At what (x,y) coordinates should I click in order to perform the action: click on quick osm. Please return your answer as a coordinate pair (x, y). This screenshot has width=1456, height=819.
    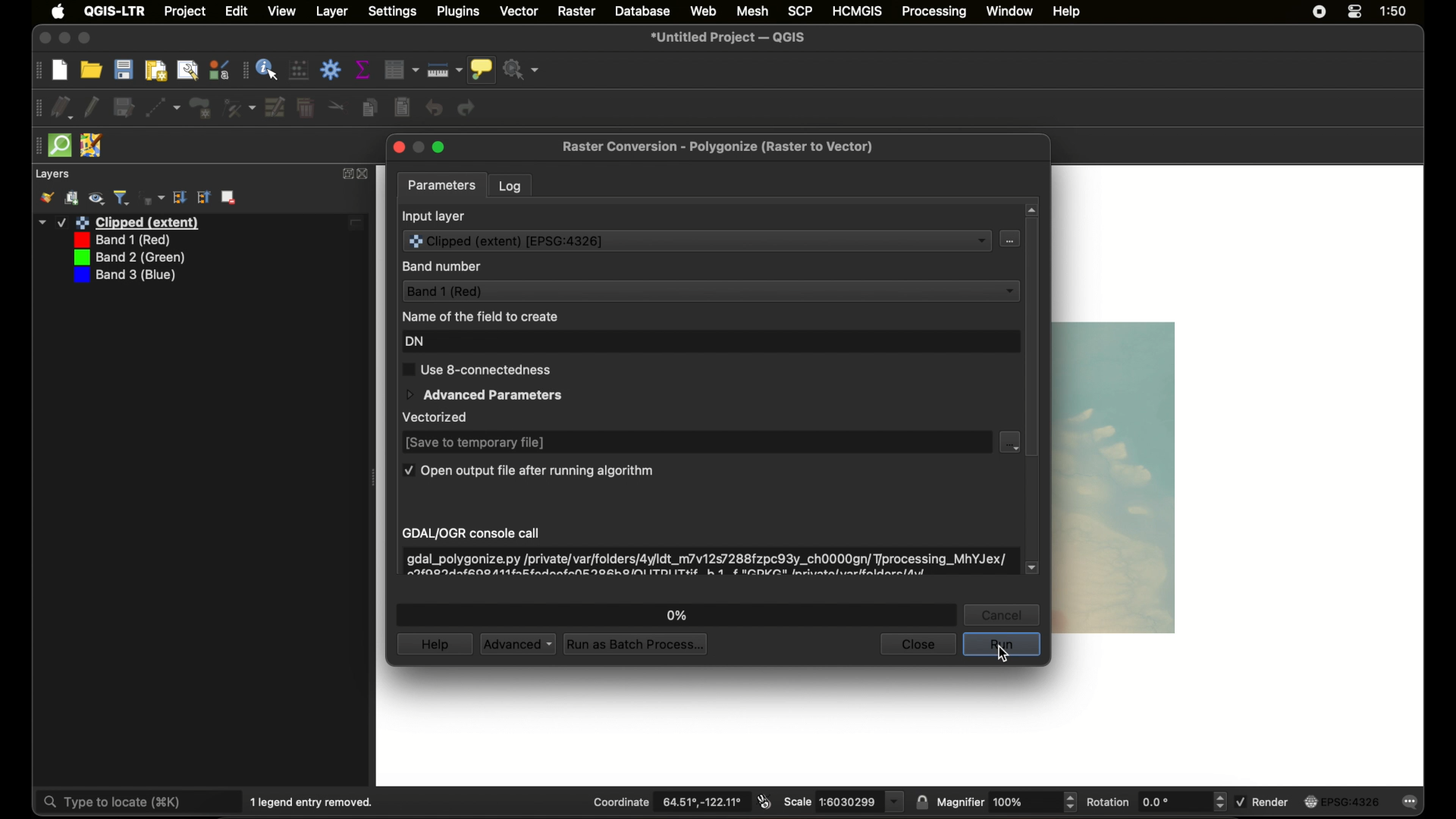
    Looking at the image, I should click on (60, 145).